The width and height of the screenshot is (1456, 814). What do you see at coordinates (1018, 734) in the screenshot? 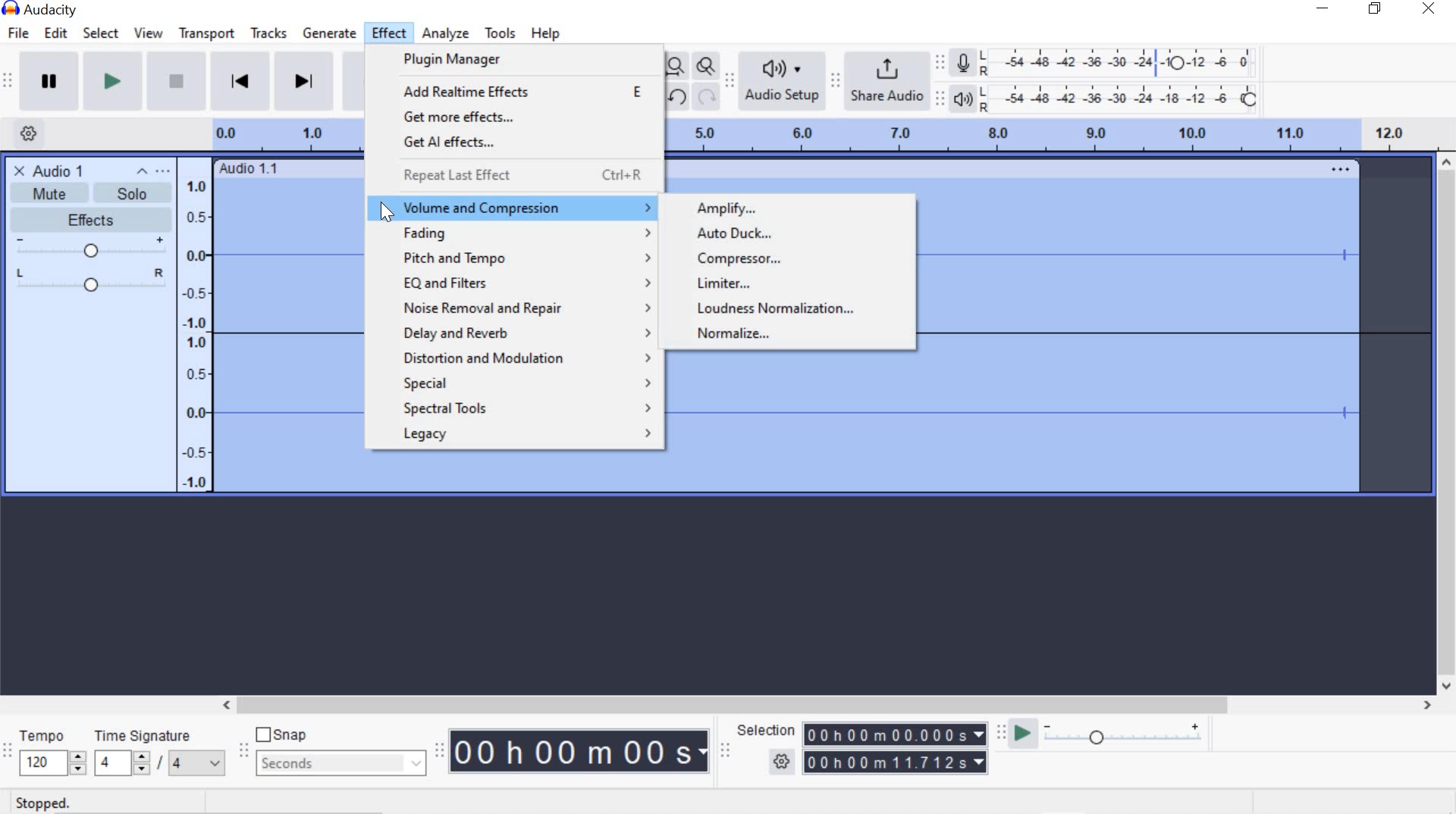
I see `Play-at-speed` at bounding box center [1018, 734].